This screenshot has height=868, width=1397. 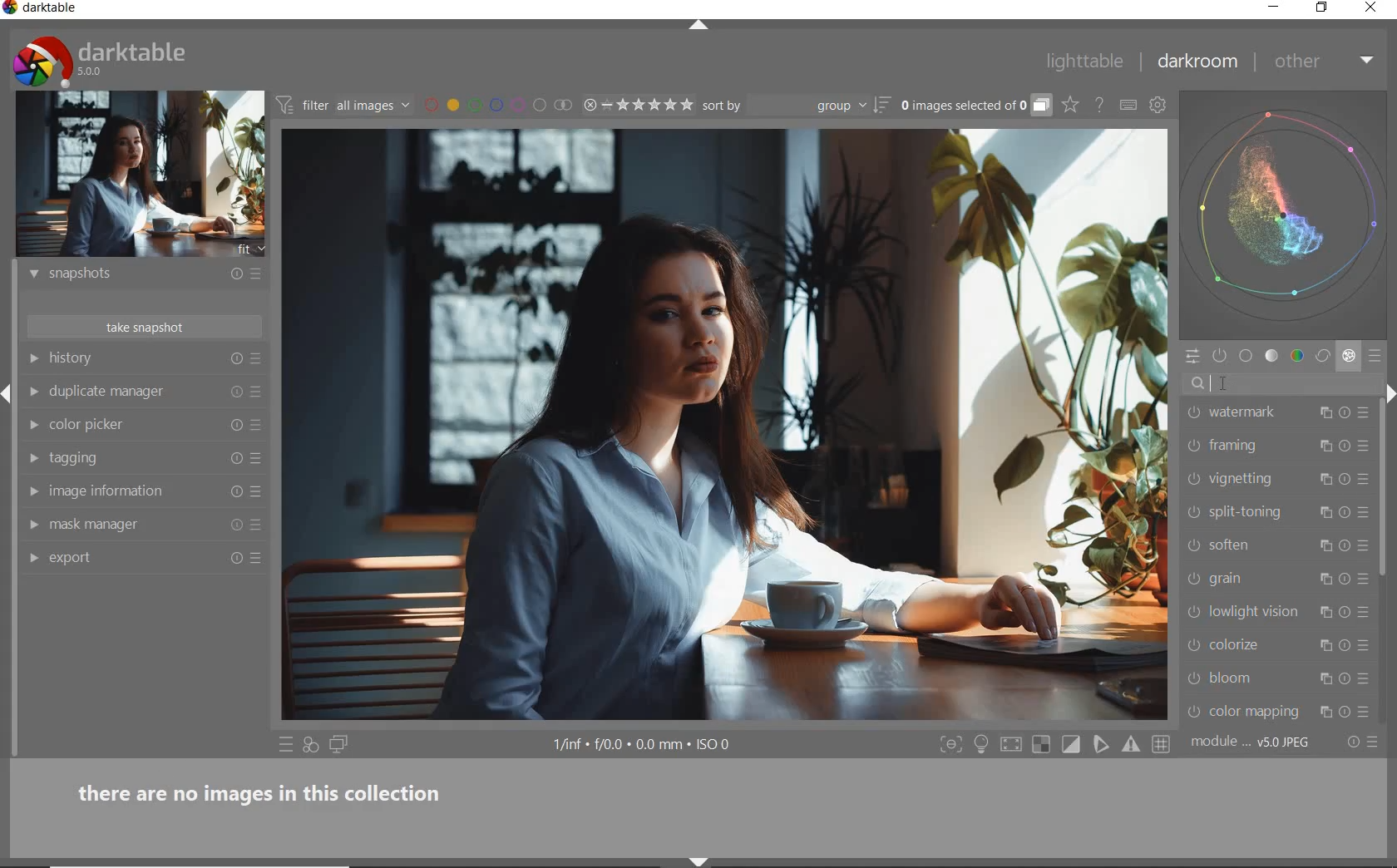 I want to click on reset, so click(x=1345, y=412).